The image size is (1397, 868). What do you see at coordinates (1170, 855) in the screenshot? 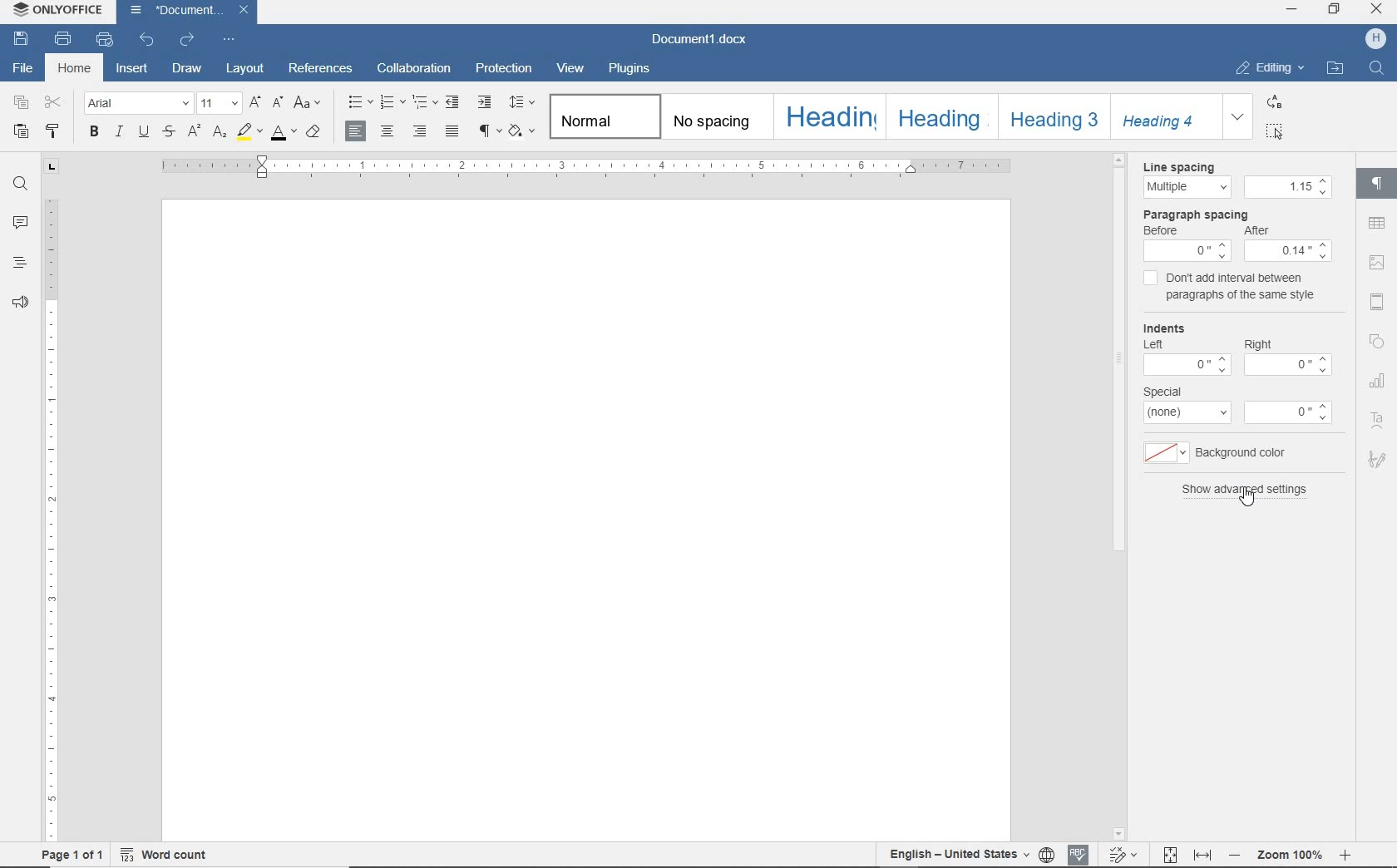
I see `Fit to page` at bounding box center [1170, 855].